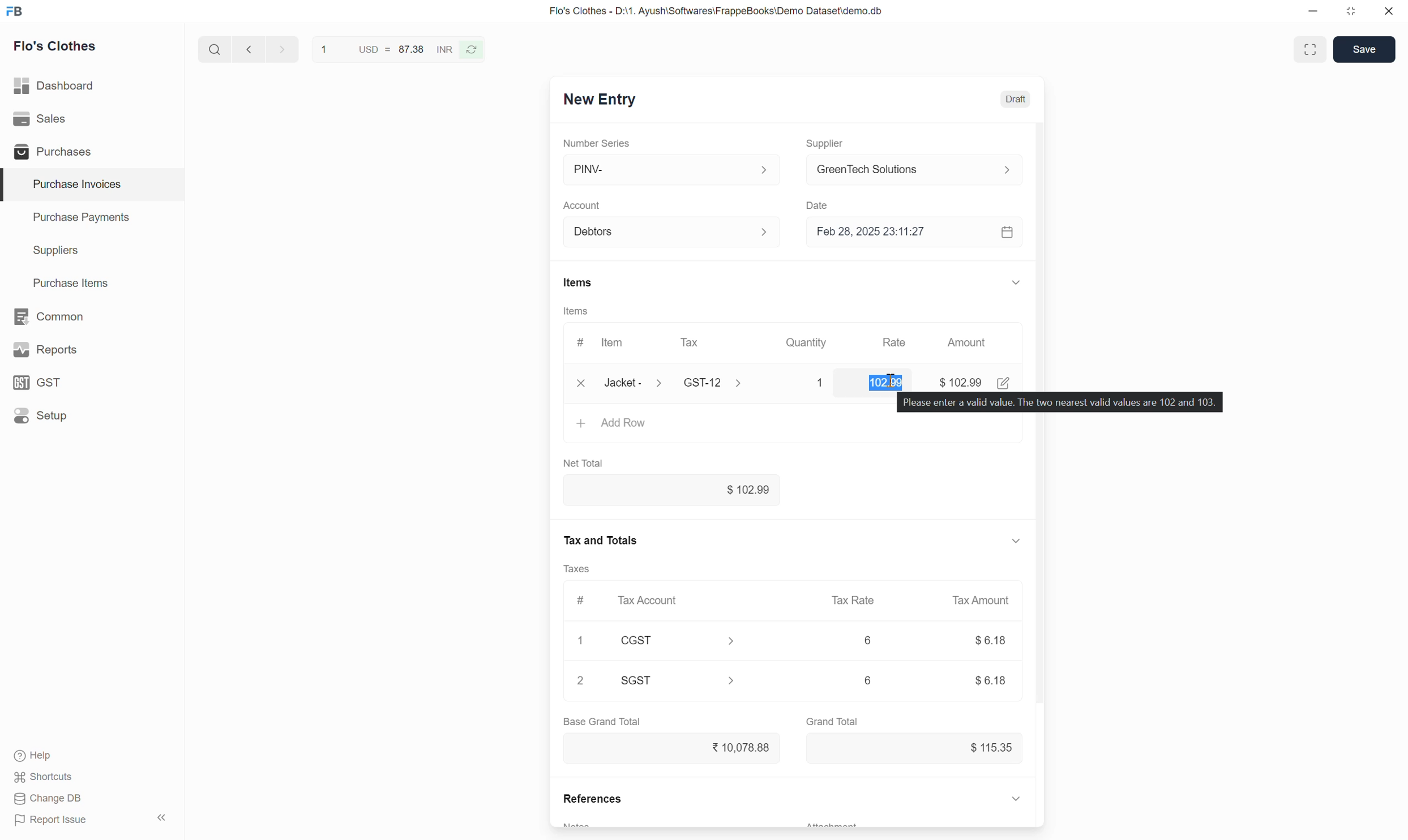 This screenshot has height=840, width=1408. What do you see at coordinates (678, 640) in the screenshot?
I see `CGST` at bounding box center [678, 640].